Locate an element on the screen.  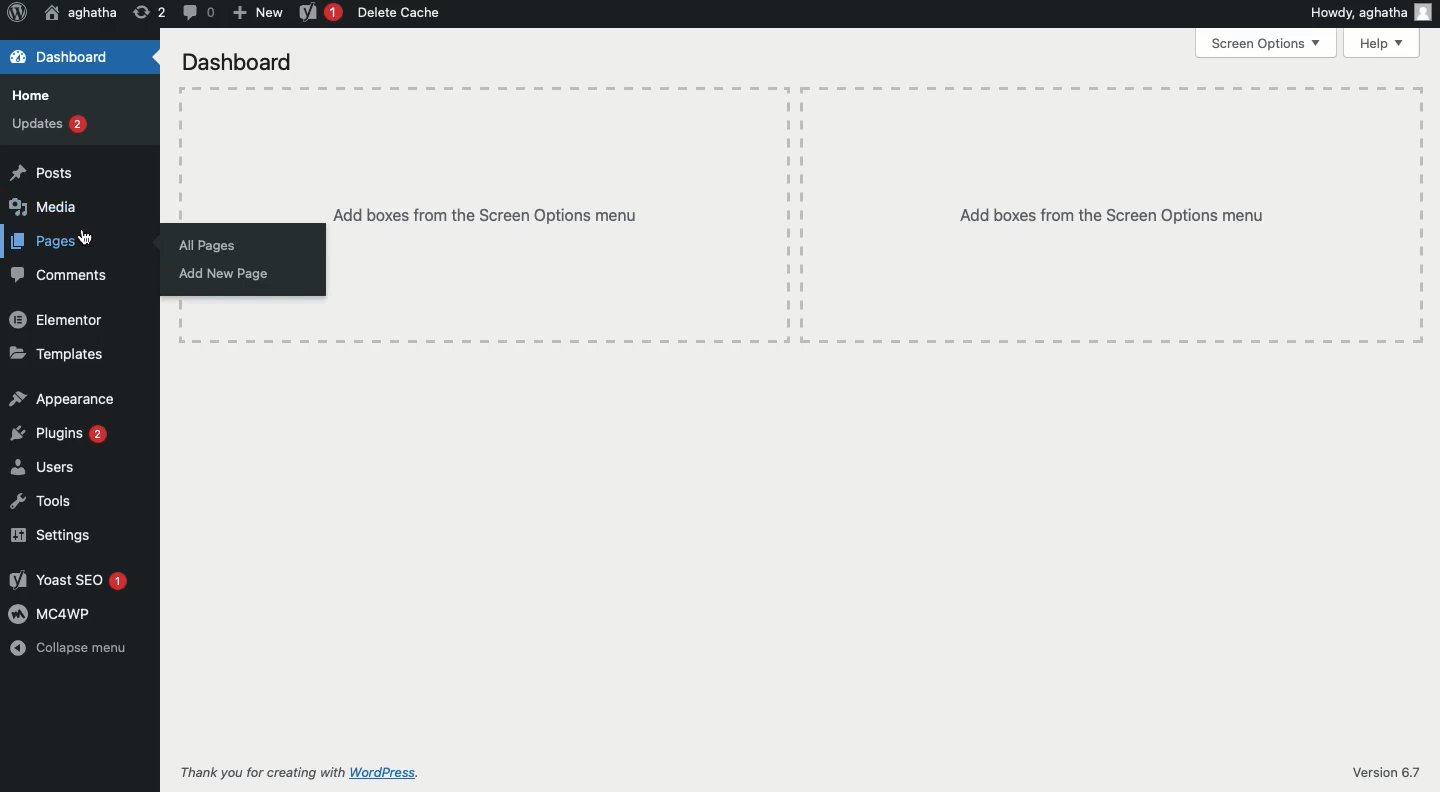
Logo is located at coordinates (17, 13).